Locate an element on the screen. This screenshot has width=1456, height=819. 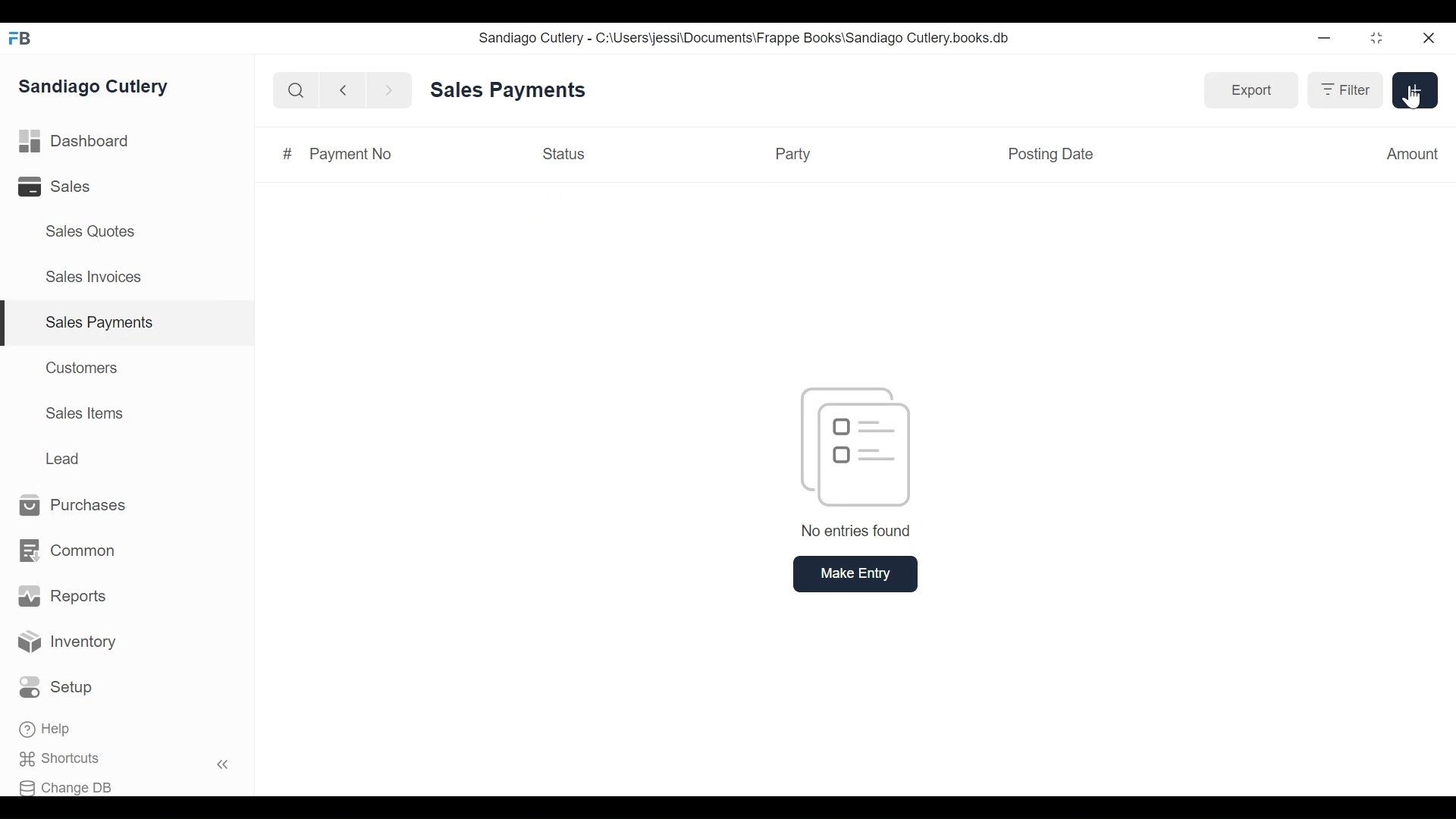
Status is located at coordinates (561, 153).